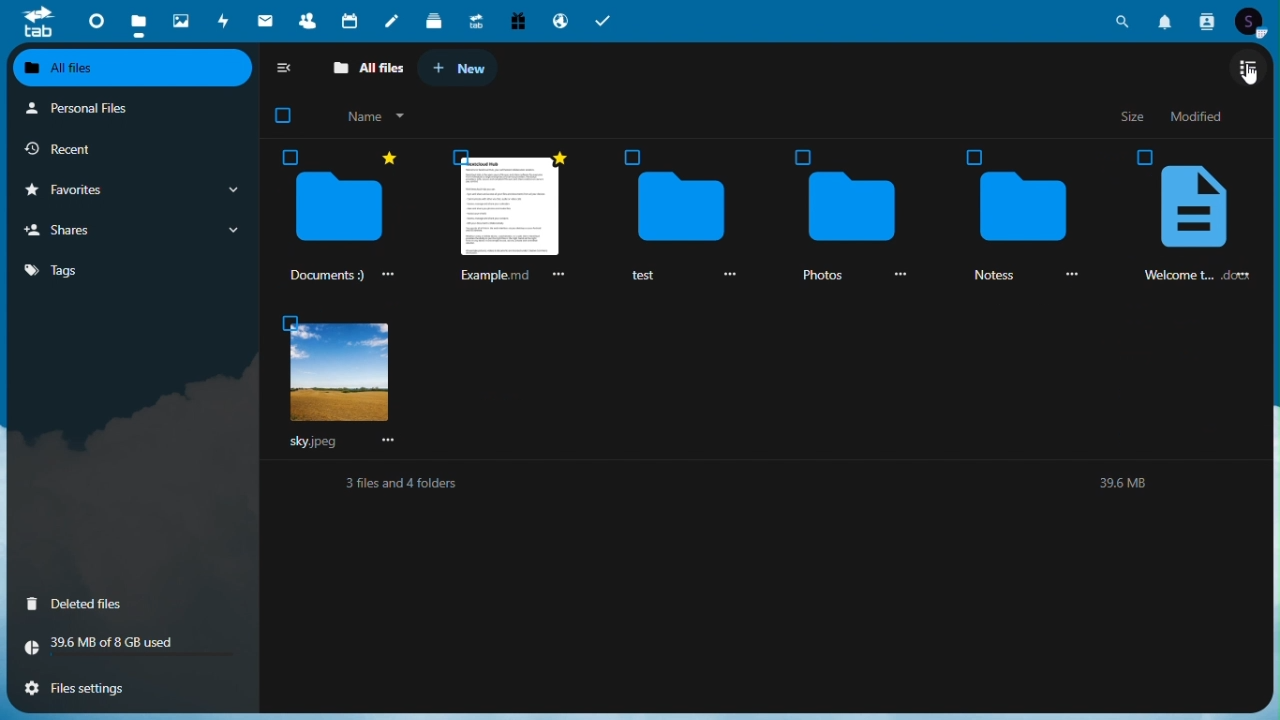 The image size is (1280, 720). Describe the element at coordinates (391, 20) in the screenshot. I see `notes` at that location.